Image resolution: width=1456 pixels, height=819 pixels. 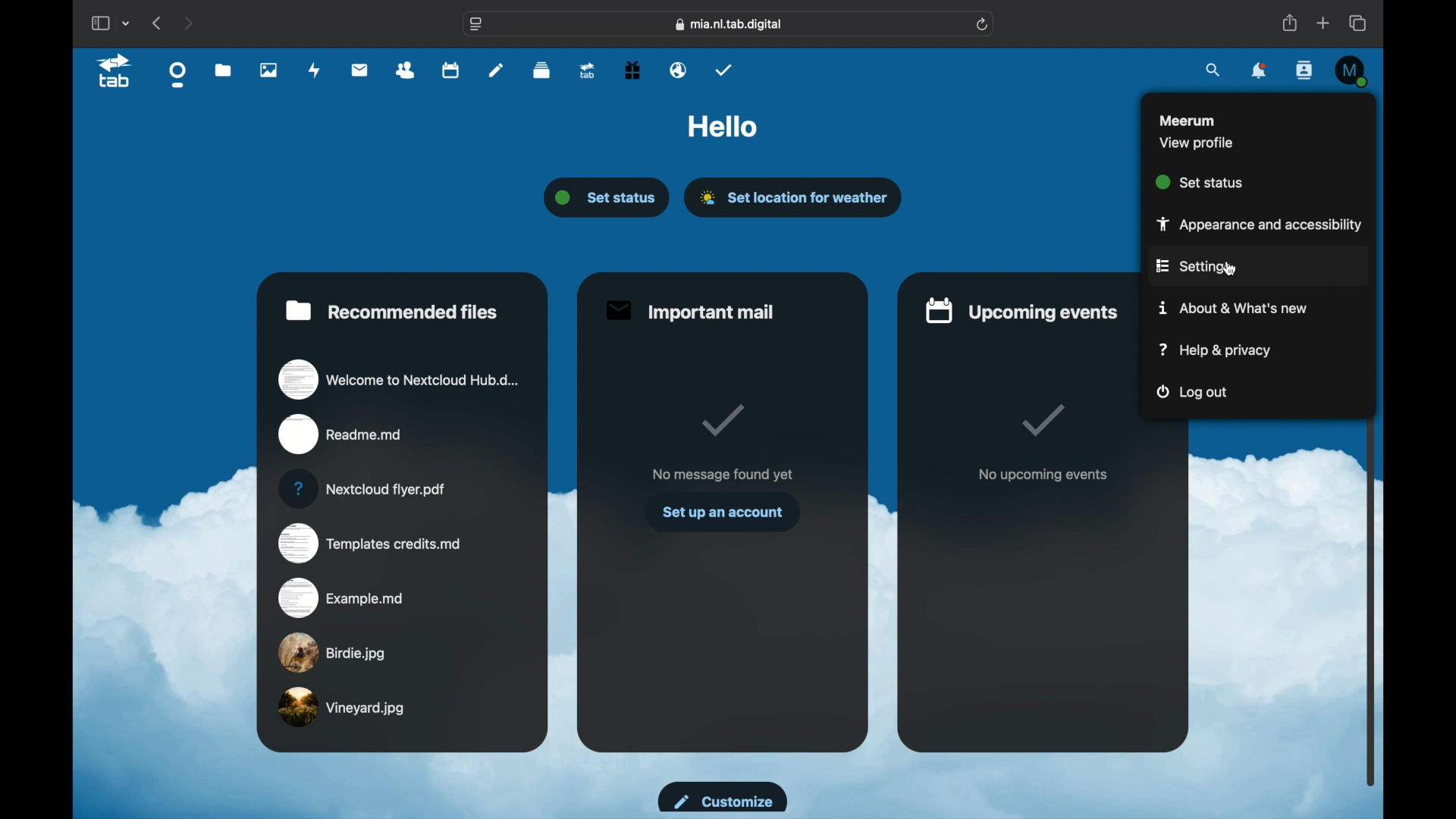 What do you see at coordinates (1359, 23) in the screenshot?
I see `show tab overview` at bounding box center [1359, 23].